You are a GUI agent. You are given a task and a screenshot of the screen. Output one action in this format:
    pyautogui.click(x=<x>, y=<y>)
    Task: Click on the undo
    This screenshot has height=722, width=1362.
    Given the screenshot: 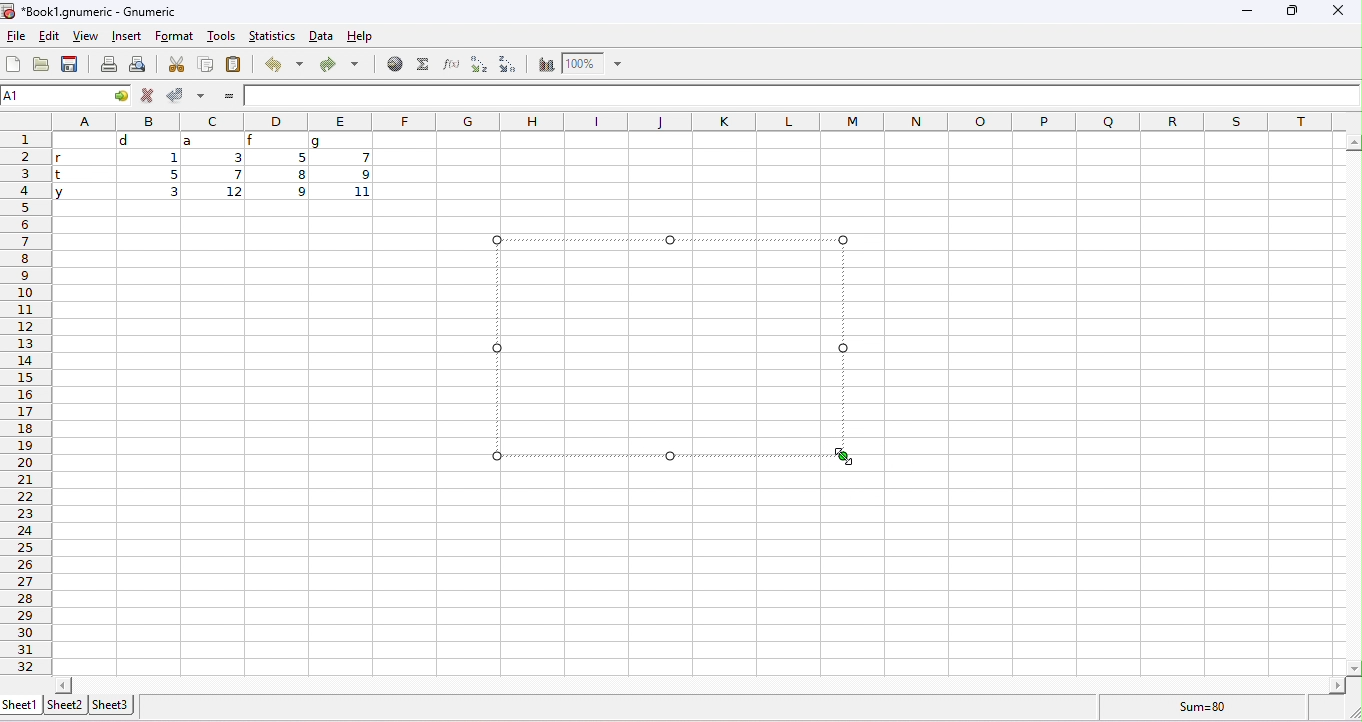 What is the action you would take?
    pyautogui.click(x=282, y=63)
    